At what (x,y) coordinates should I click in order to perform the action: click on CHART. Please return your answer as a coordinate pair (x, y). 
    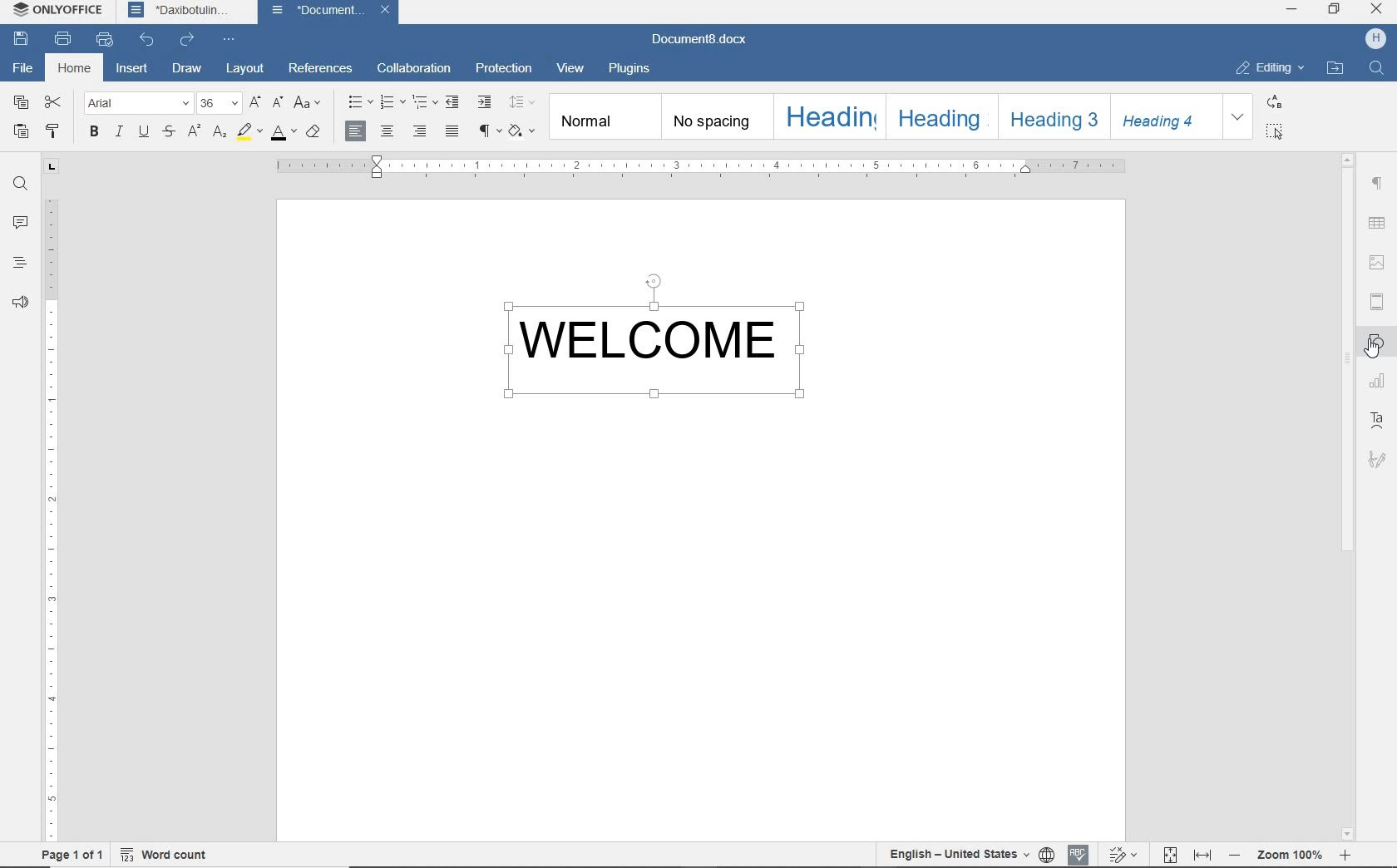
    Looking at the image, I should click on (1380, 382).